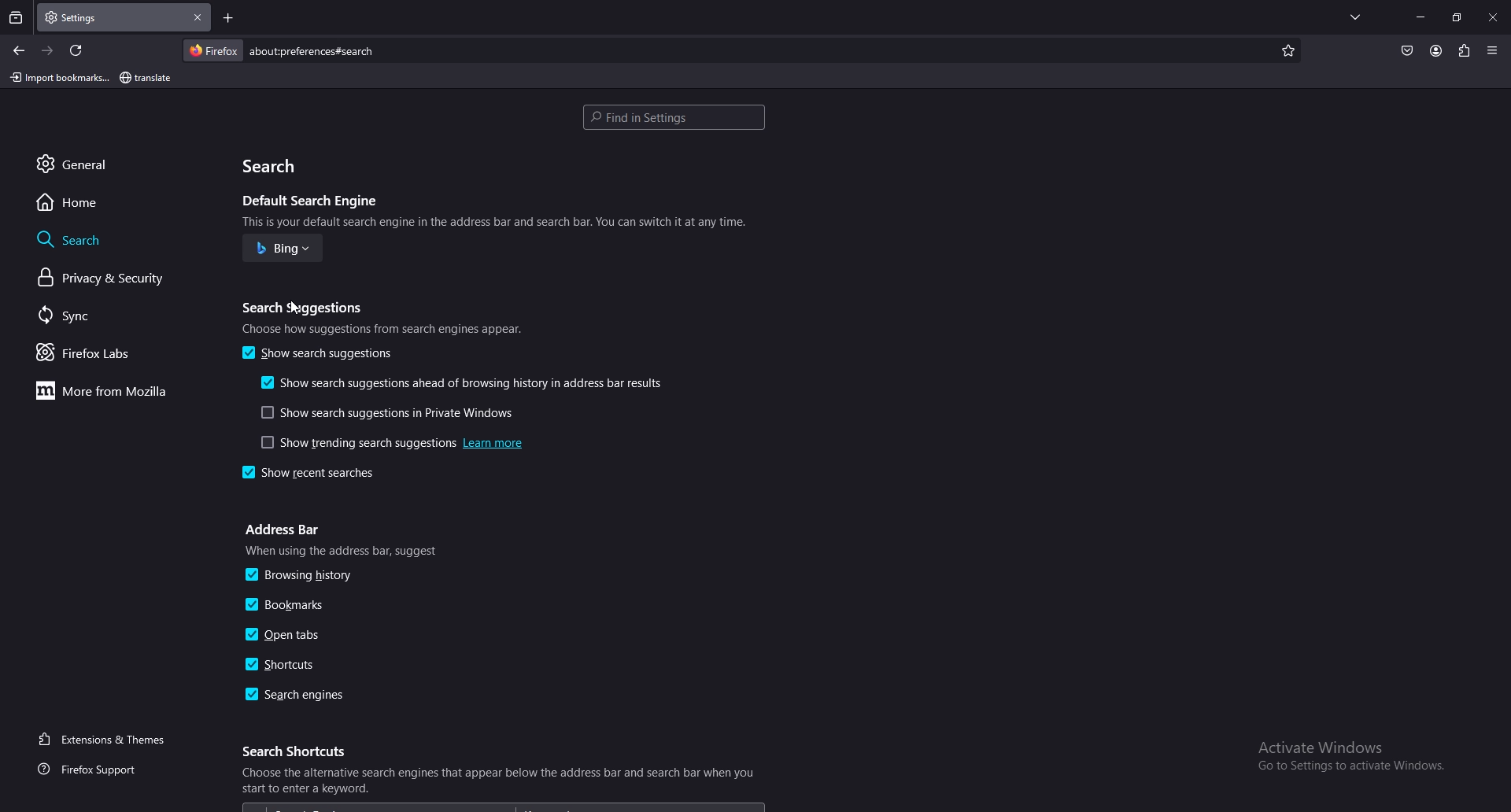 The width and height of the screenshot is (1511, 812). Describe the element at coordinates (346, 551) in the screenshot. I see `info` at that location.